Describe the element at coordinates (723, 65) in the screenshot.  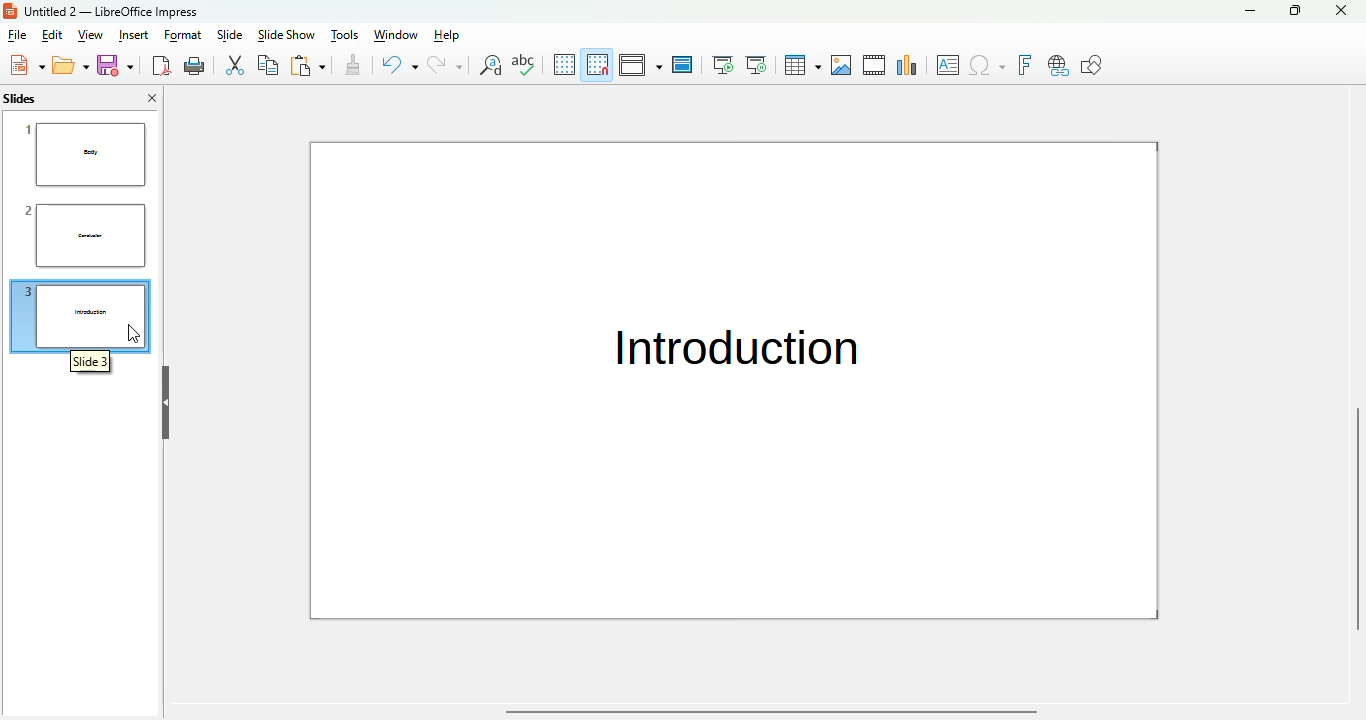
I see `start from first slide` at that location.